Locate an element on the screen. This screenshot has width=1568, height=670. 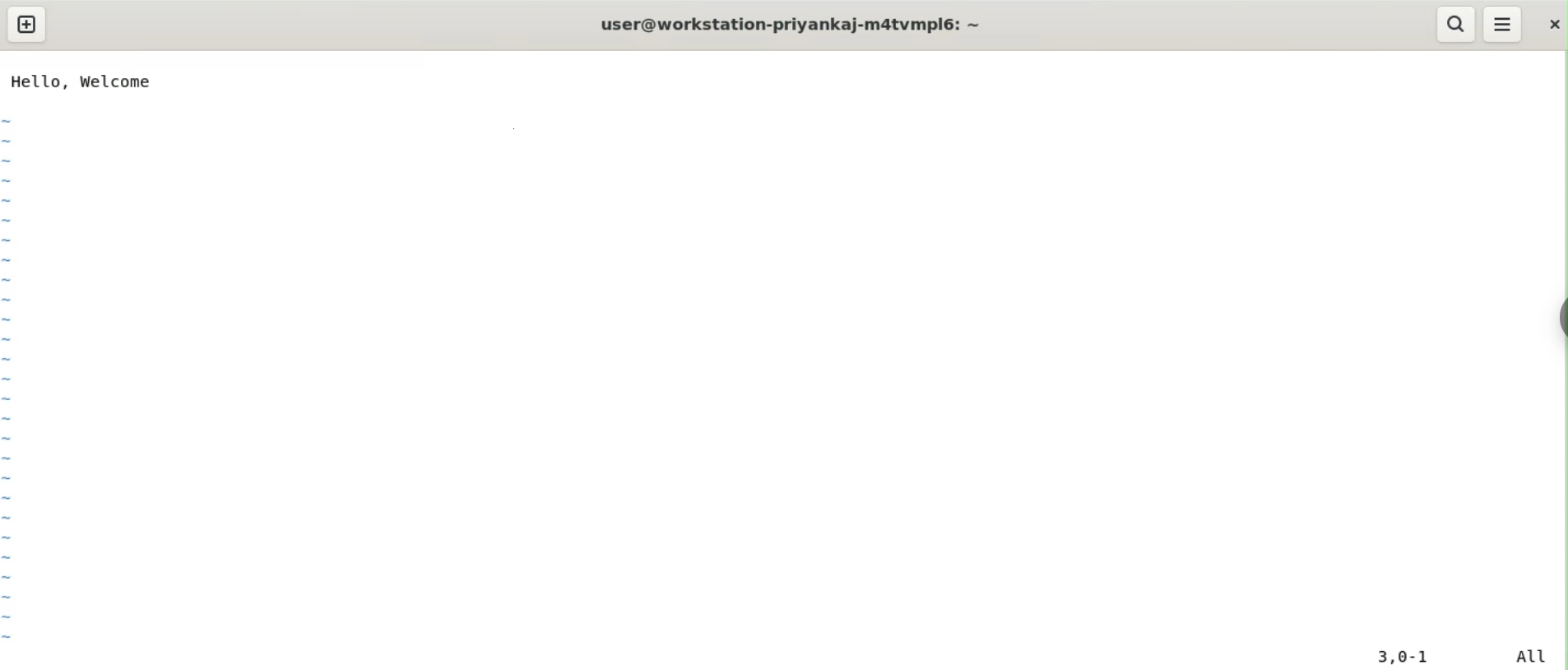
all is located at coordinates (1538, 656).